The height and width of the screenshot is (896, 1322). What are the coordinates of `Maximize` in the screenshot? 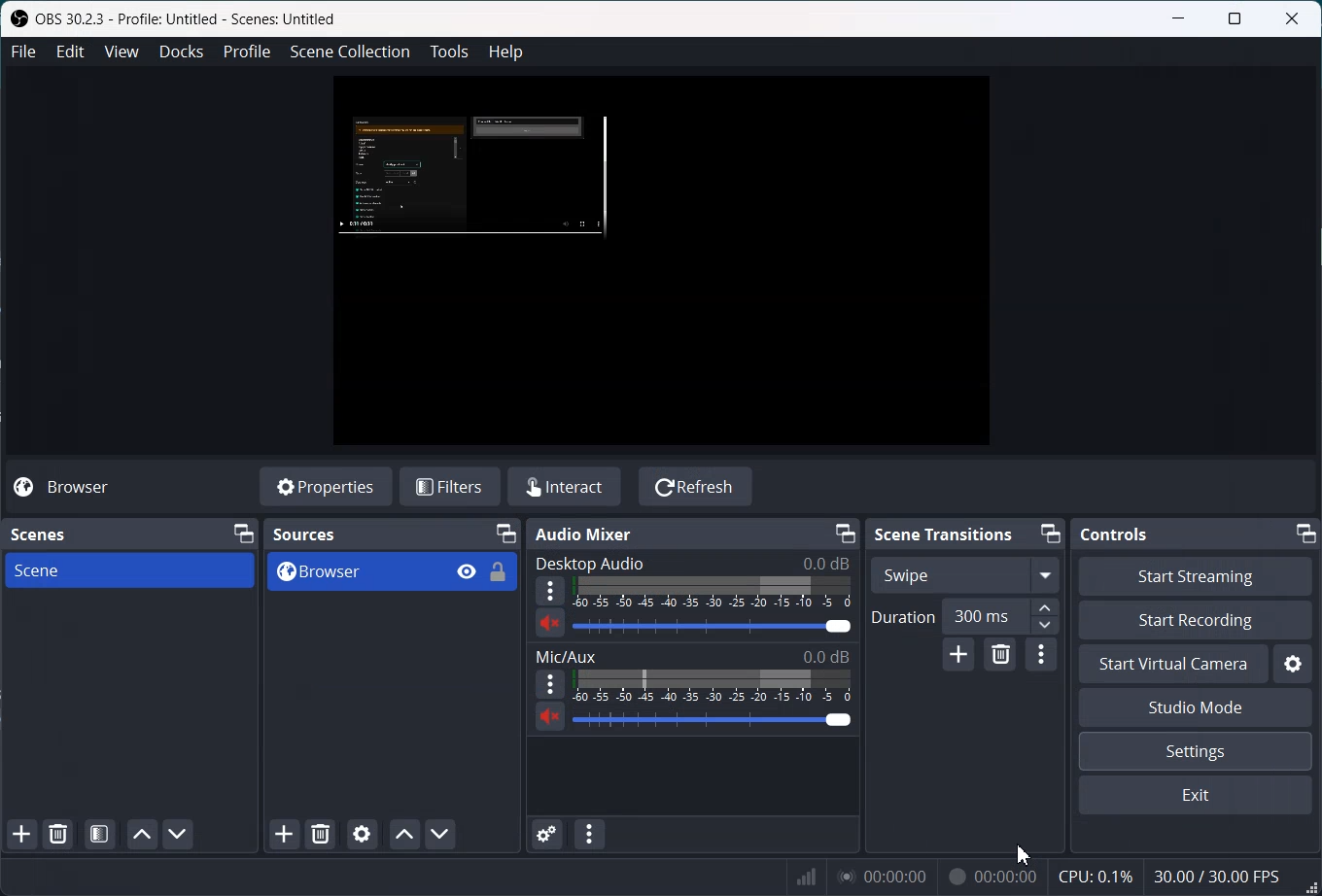 It's located at (1236, 17).